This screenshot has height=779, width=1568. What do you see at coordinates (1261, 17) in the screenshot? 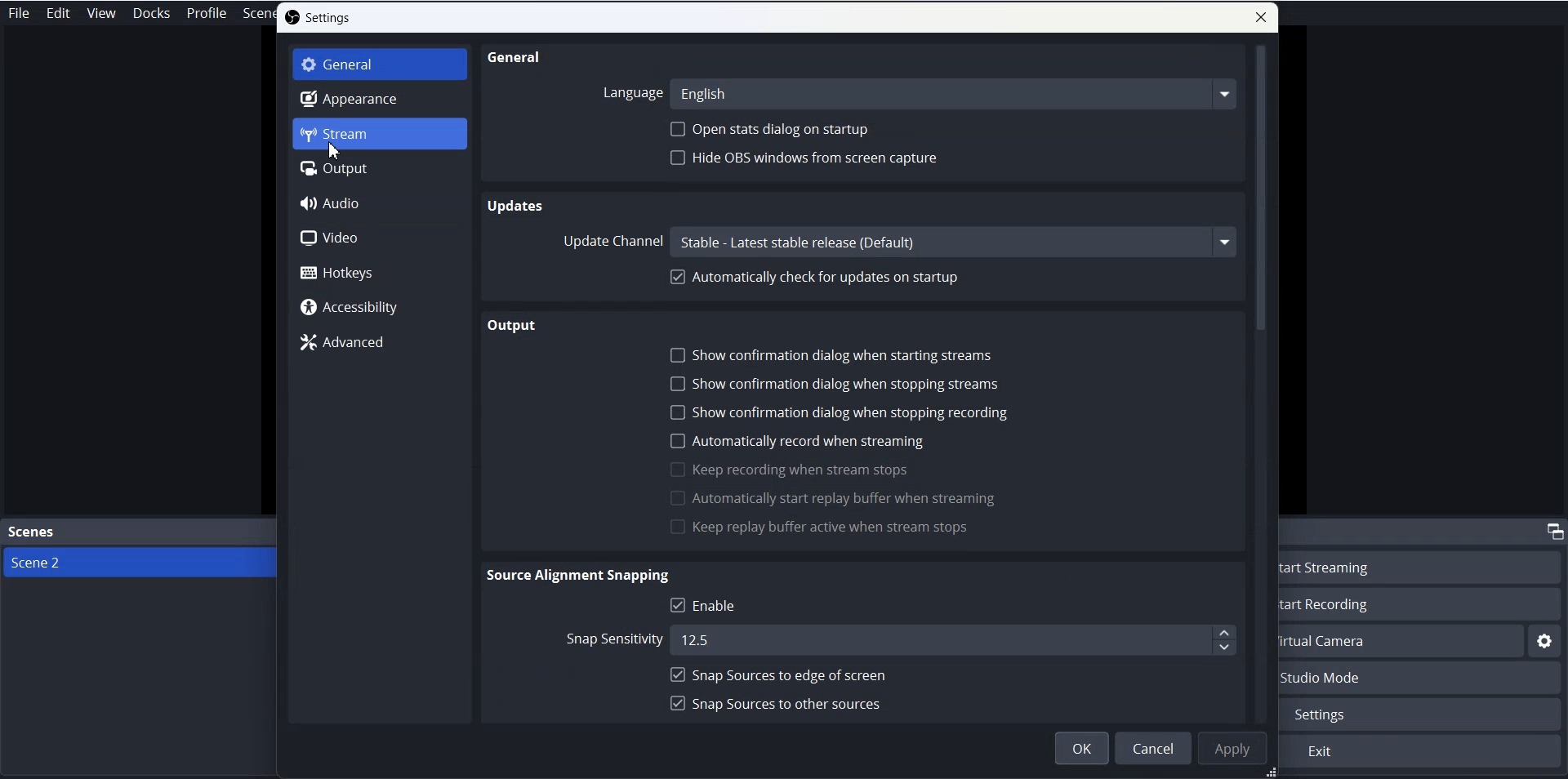
I see `Close` at bounding box center [1261, 17].